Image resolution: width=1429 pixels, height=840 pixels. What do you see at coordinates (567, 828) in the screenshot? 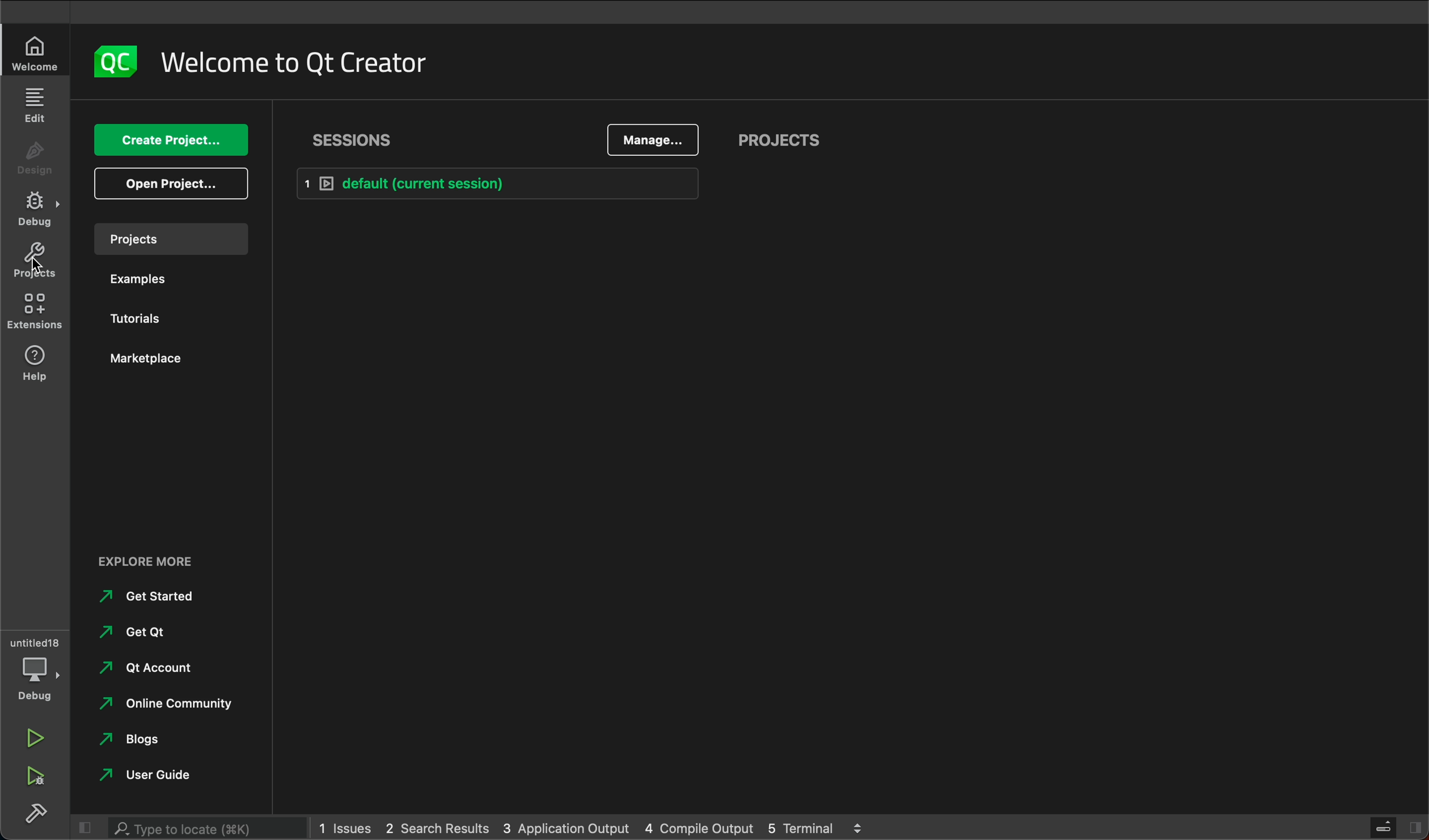
I see `3 Application Output` at bounding box center [567, 828].